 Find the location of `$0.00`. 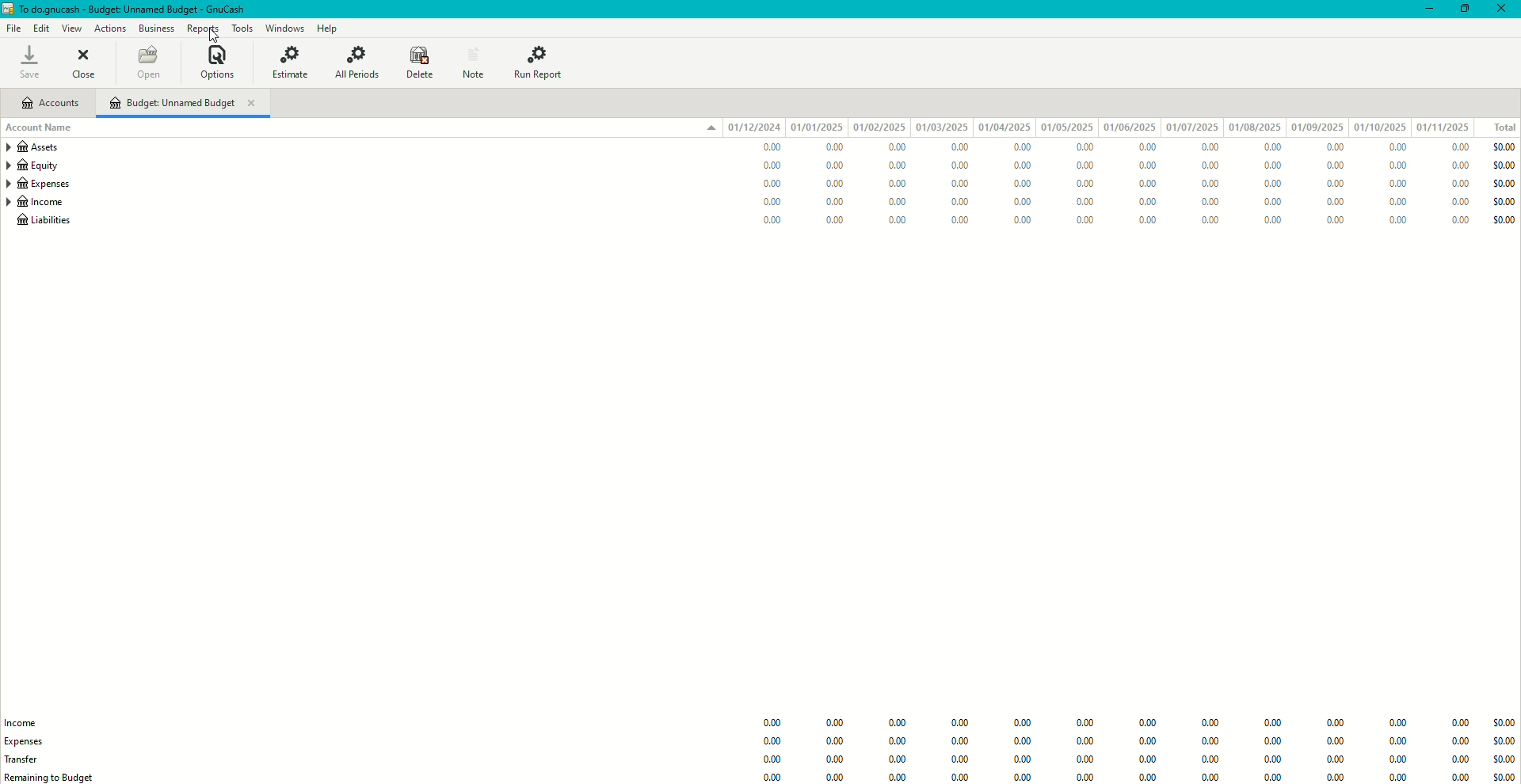

$0.00 is located at coordinates (1504, 184).